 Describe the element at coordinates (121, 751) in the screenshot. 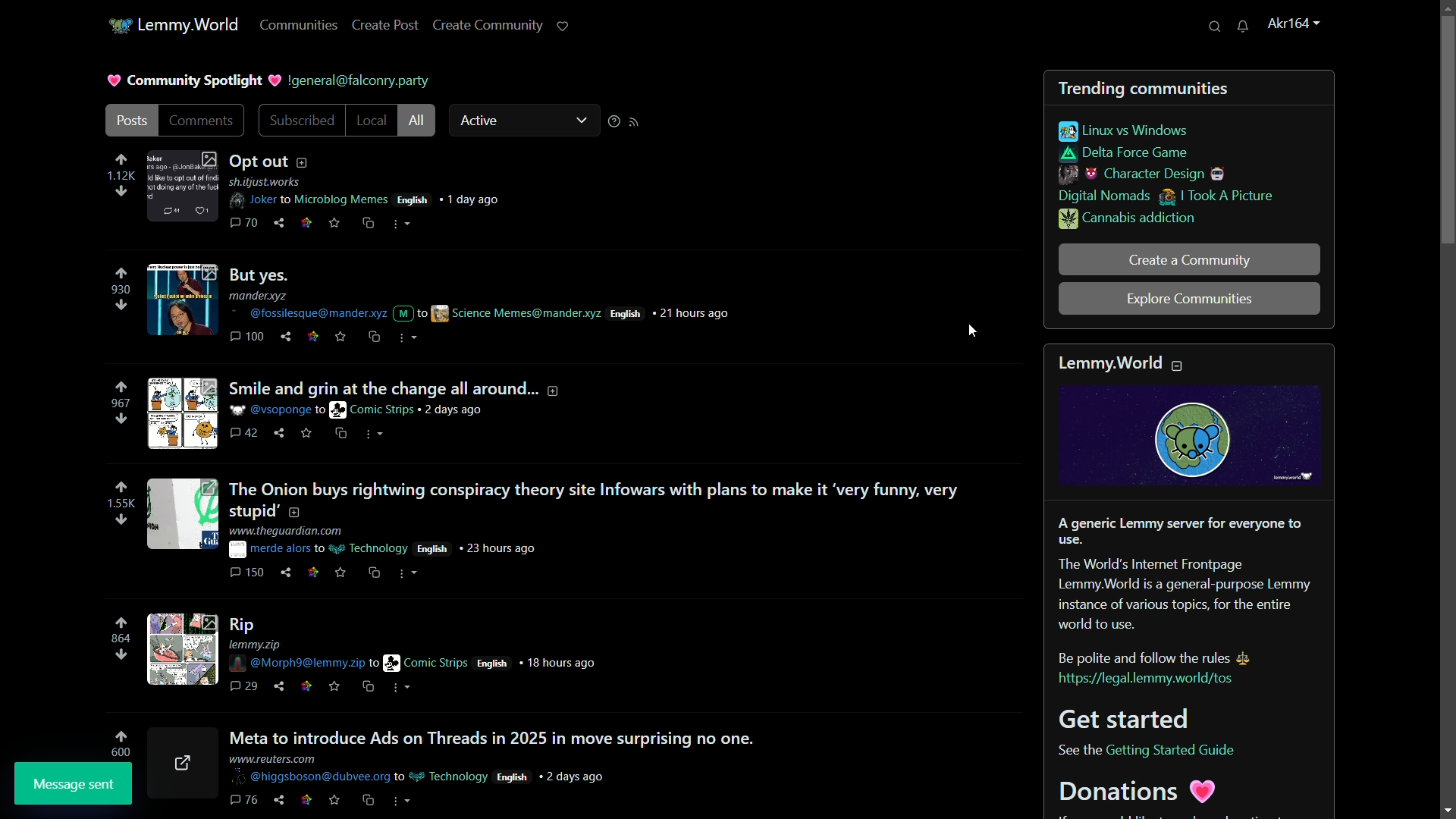

I see `number of votes` at that location.